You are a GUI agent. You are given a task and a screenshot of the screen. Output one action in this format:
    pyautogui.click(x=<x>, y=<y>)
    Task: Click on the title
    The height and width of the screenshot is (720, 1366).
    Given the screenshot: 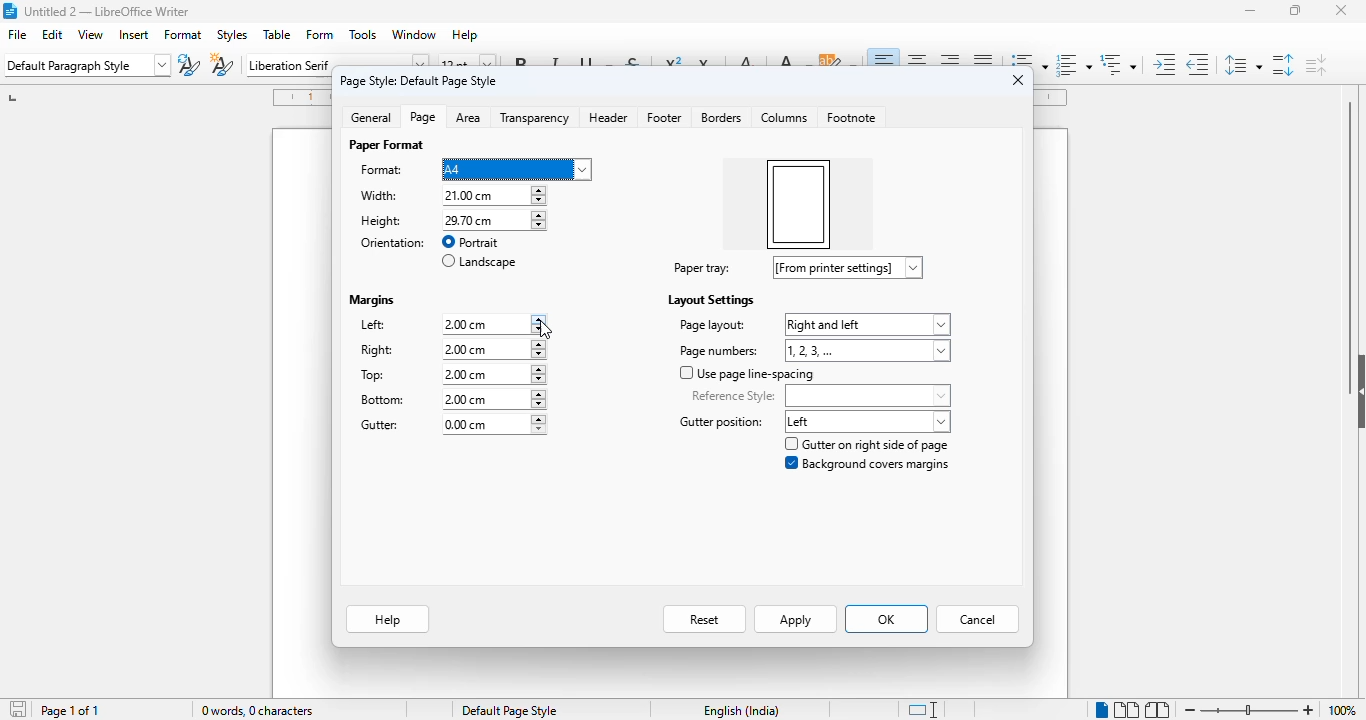 What is the action you would take?
    pyautogui.click(x=108, y=11)
    